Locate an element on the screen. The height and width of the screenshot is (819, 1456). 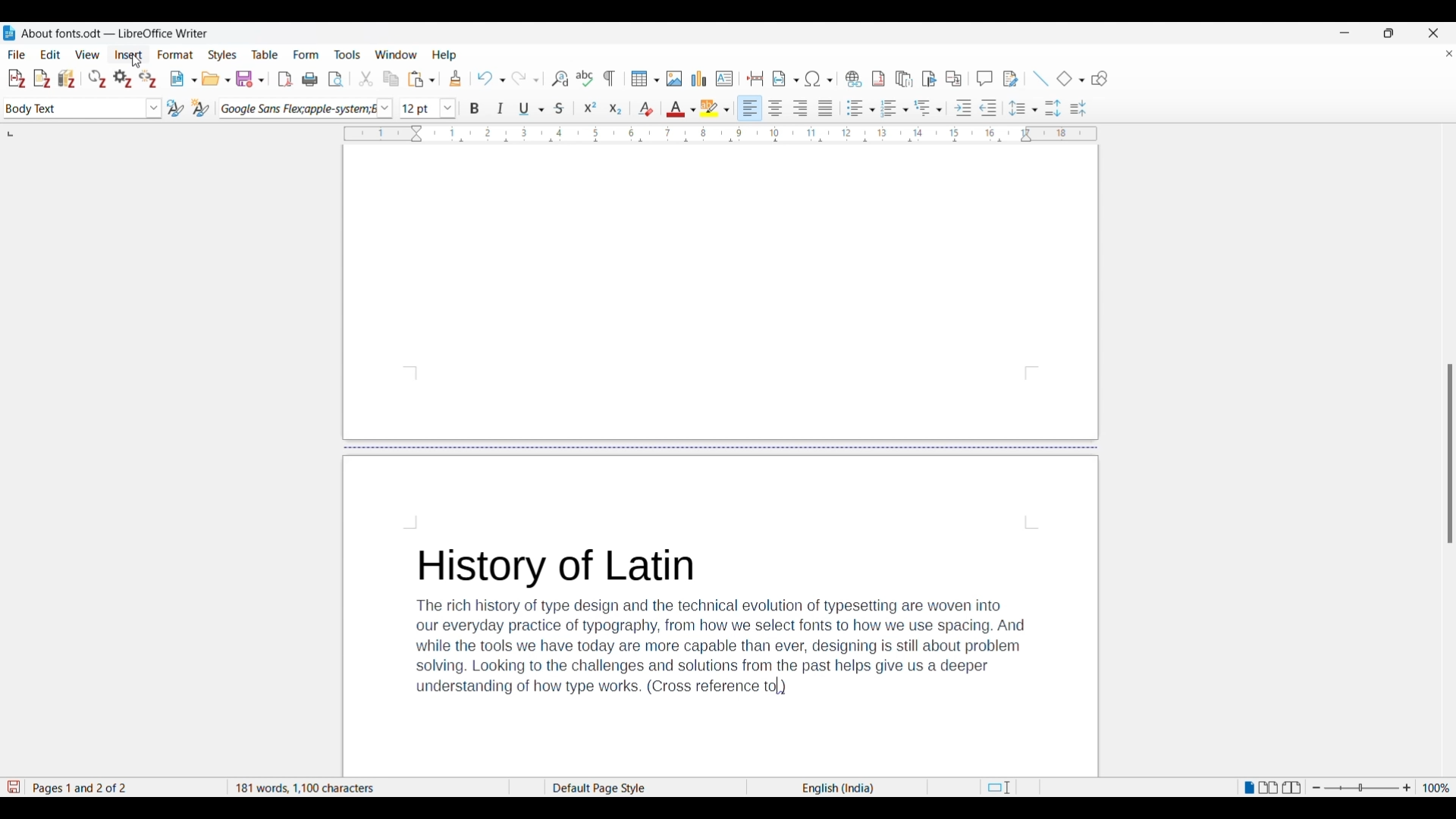
Outline format options is located at coordinates (929, 108).